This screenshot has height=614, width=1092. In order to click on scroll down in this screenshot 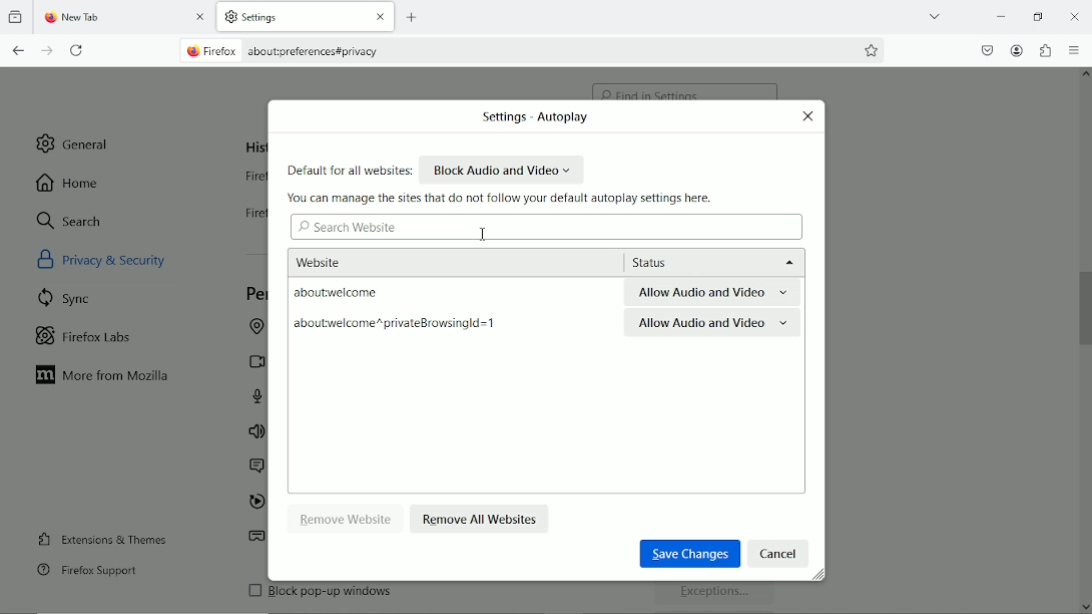, I will do `click(1084, 603)`.